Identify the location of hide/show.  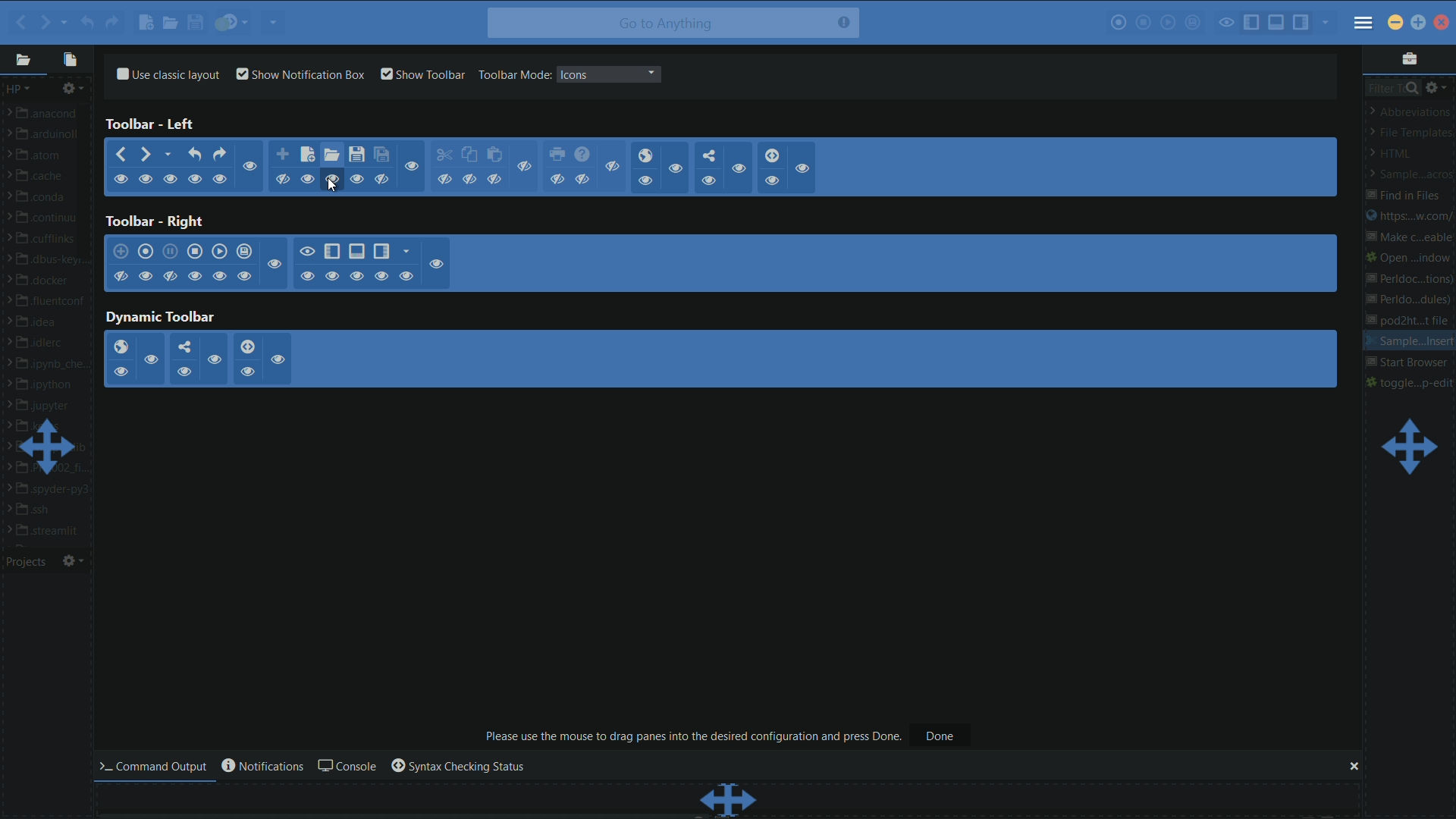
(356, 276).